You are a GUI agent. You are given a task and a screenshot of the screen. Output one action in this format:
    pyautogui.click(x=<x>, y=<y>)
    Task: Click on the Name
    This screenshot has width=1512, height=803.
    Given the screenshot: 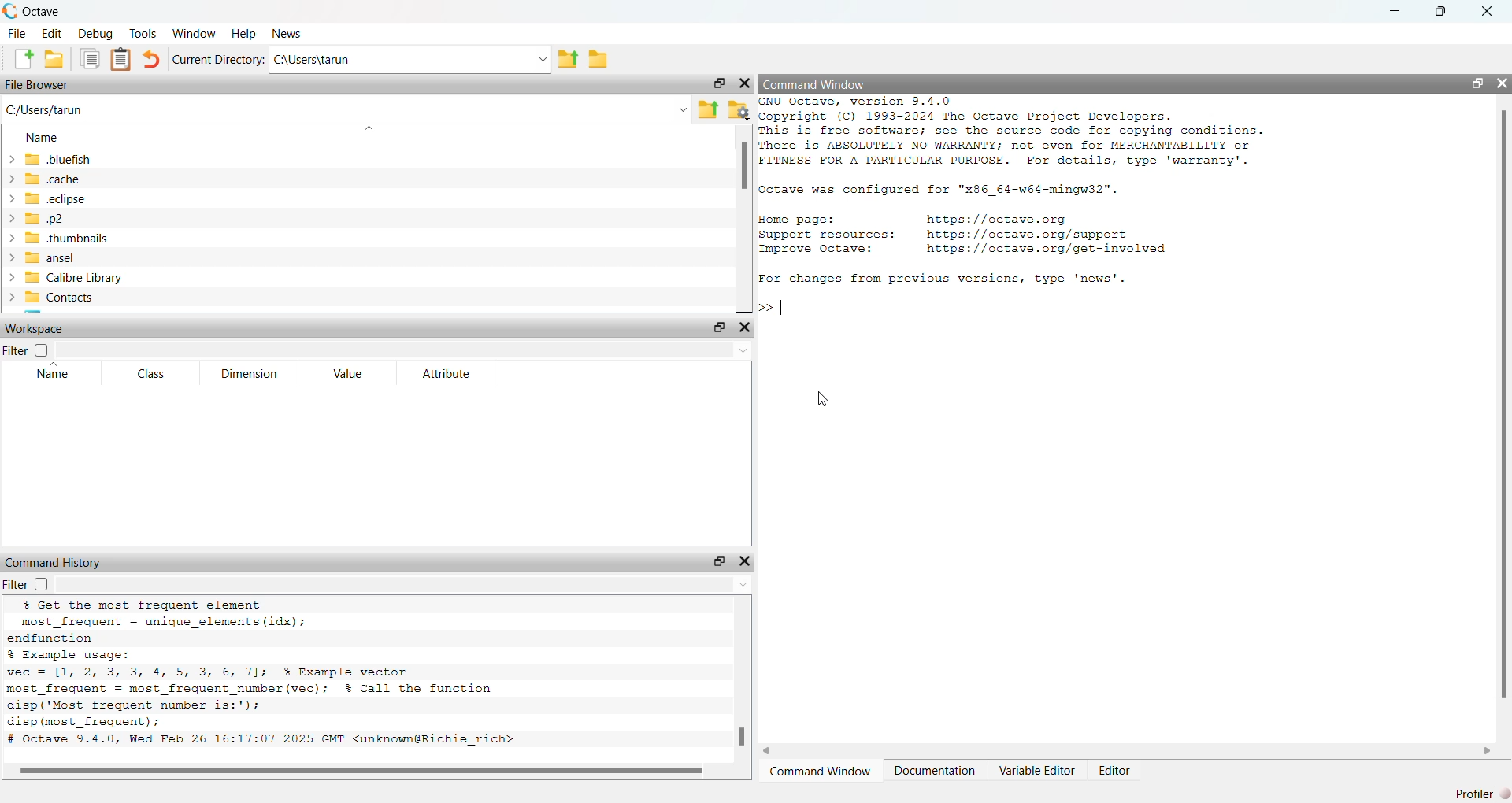 What is the action you would take?
    pyautogui.click(x=53, y=372)
    